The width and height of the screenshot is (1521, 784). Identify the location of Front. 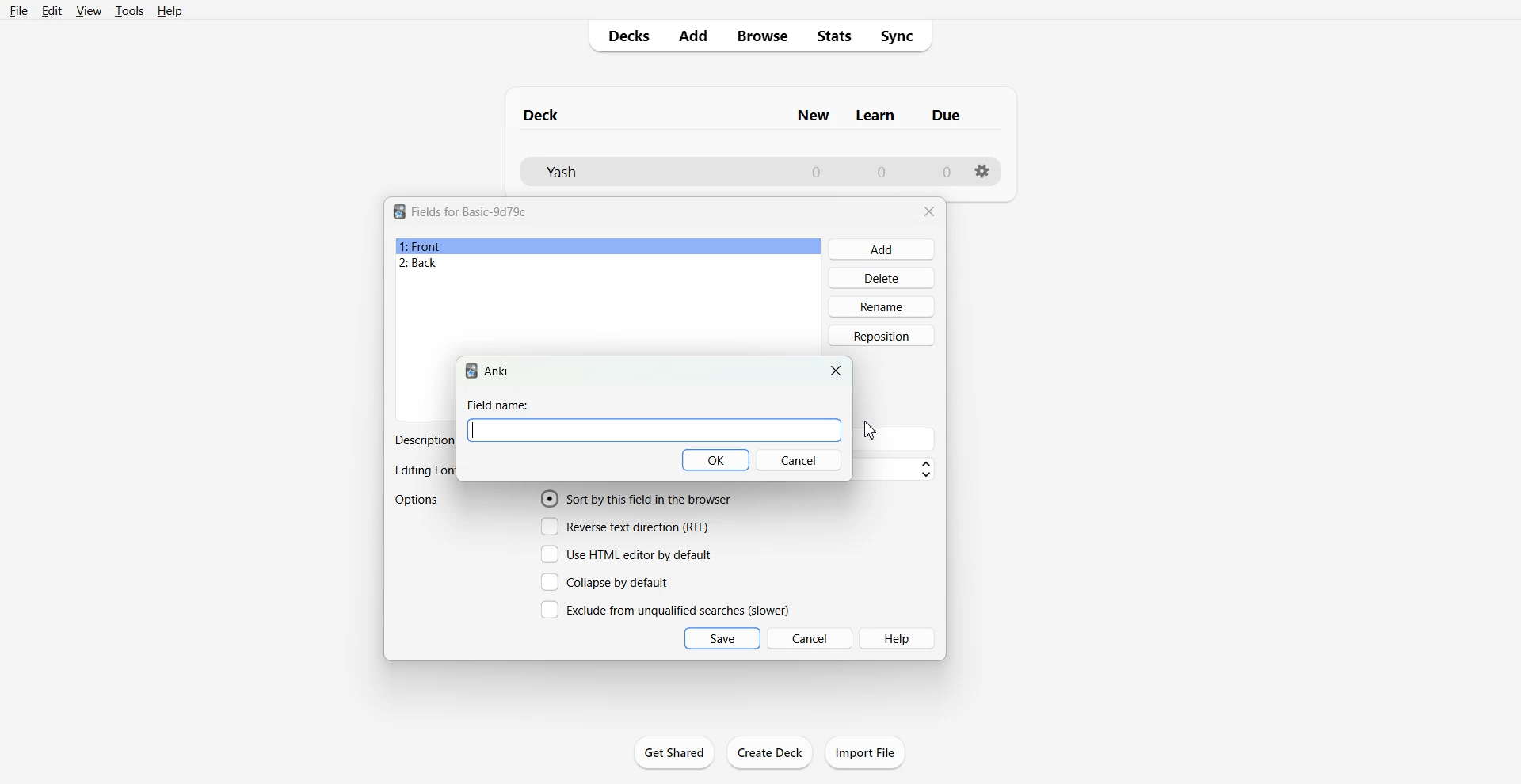
(608, 246).